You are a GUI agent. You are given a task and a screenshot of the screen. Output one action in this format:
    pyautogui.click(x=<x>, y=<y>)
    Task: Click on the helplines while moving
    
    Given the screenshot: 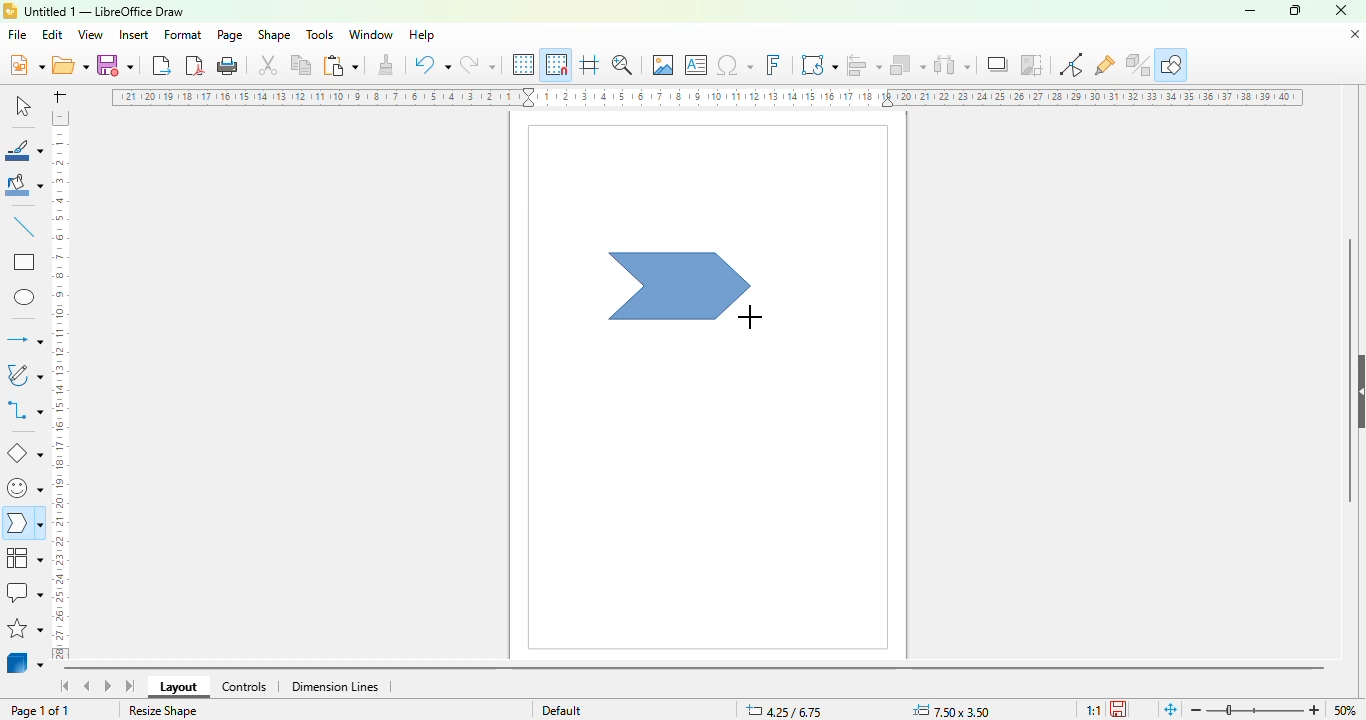 What is the action you would take?
    pyautogui.click(x=590, y=64)
    